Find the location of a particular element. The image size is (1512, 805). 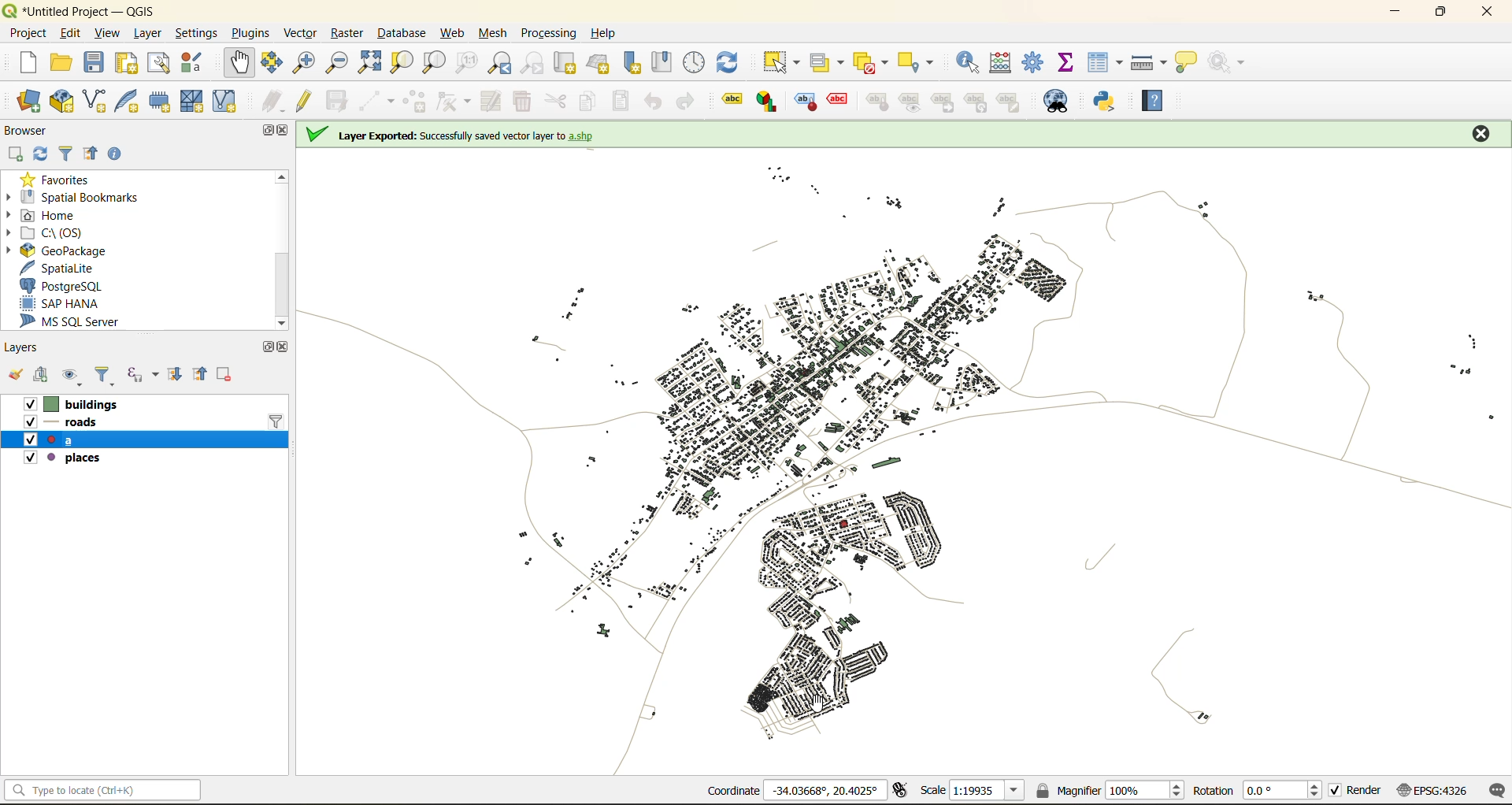

calculator is located at coordinates (1003, 63).